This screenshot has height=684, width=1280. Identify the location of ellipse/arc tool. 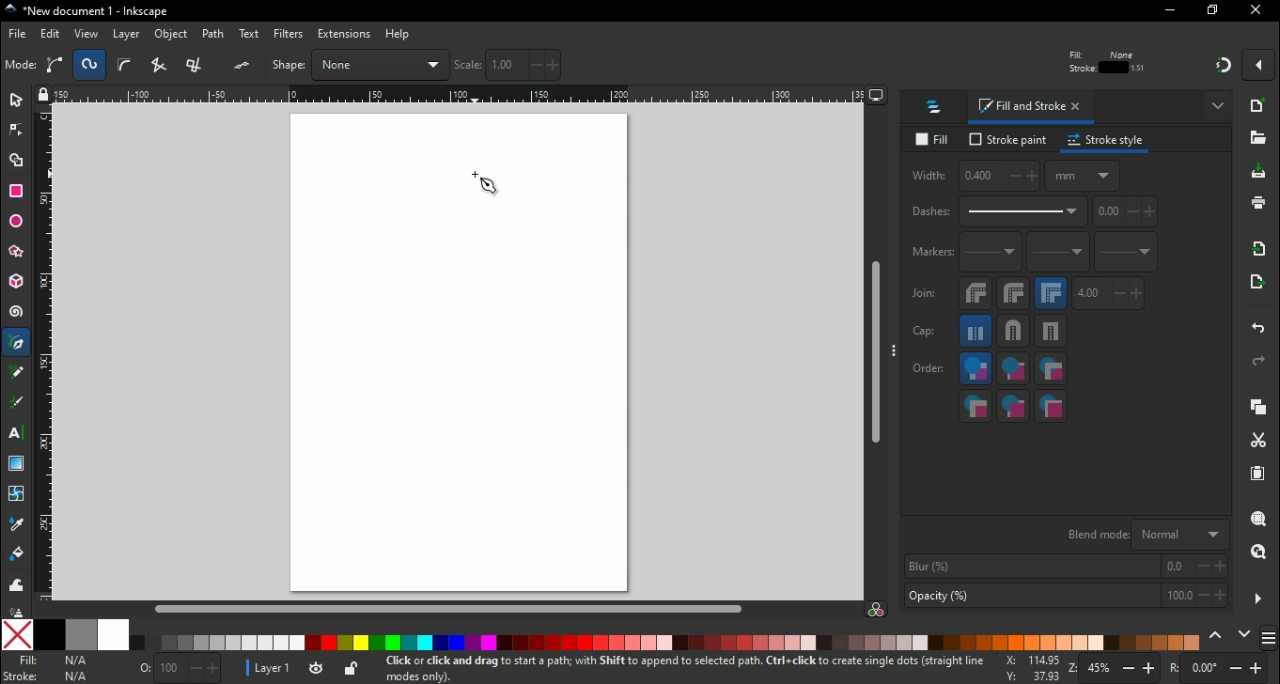
(17, 223).